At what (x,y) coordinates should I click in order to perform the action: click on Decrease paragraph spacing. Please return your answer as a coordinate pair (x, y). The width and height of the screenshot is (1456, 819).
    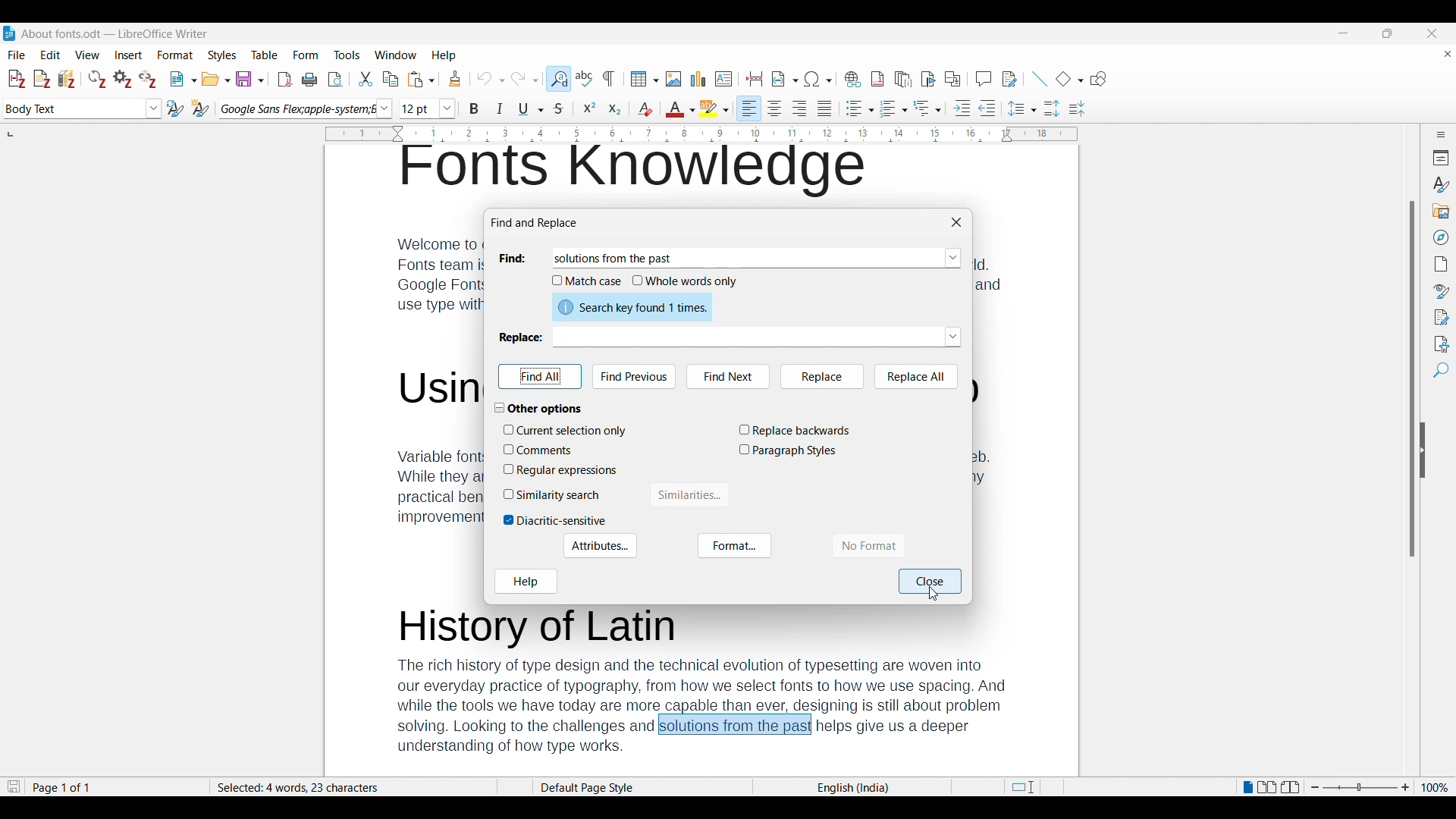
    Looking at the image, I should click on (1077, 108).